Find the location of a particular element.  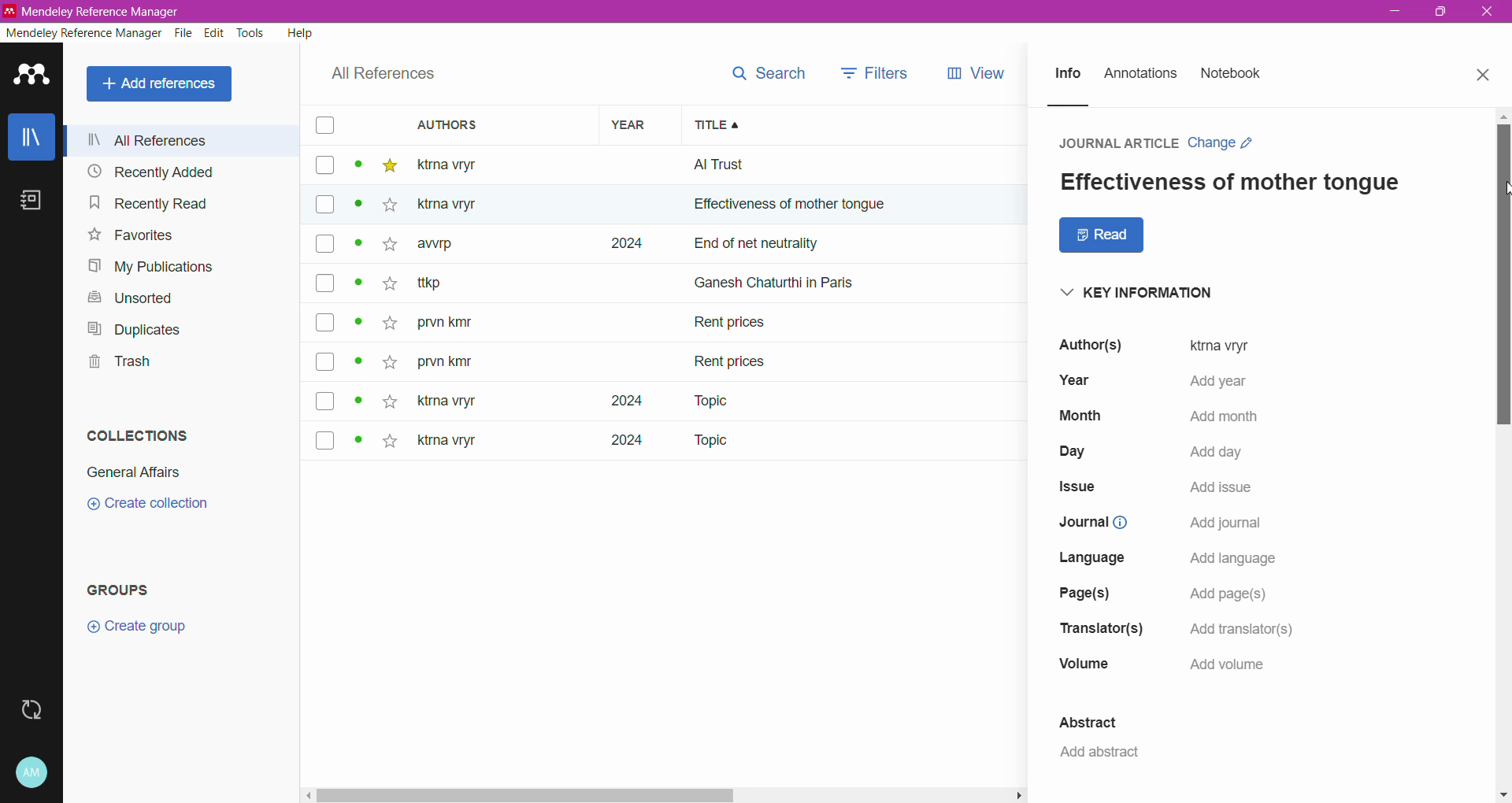

star is located at coordinates (386, 208).